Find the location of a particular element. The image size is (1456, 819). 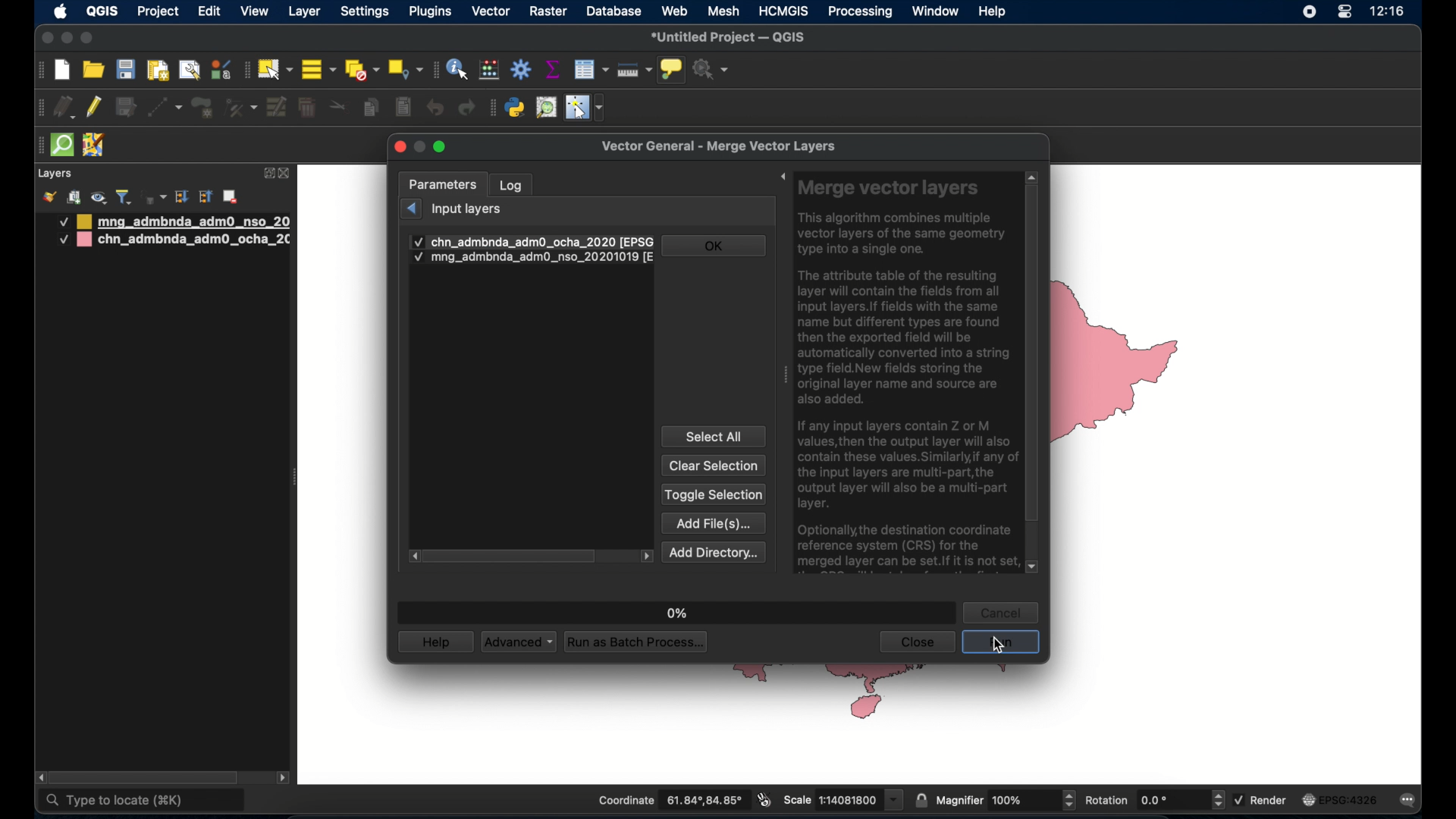

scroll left arrow is located at coordinates (647, 556).